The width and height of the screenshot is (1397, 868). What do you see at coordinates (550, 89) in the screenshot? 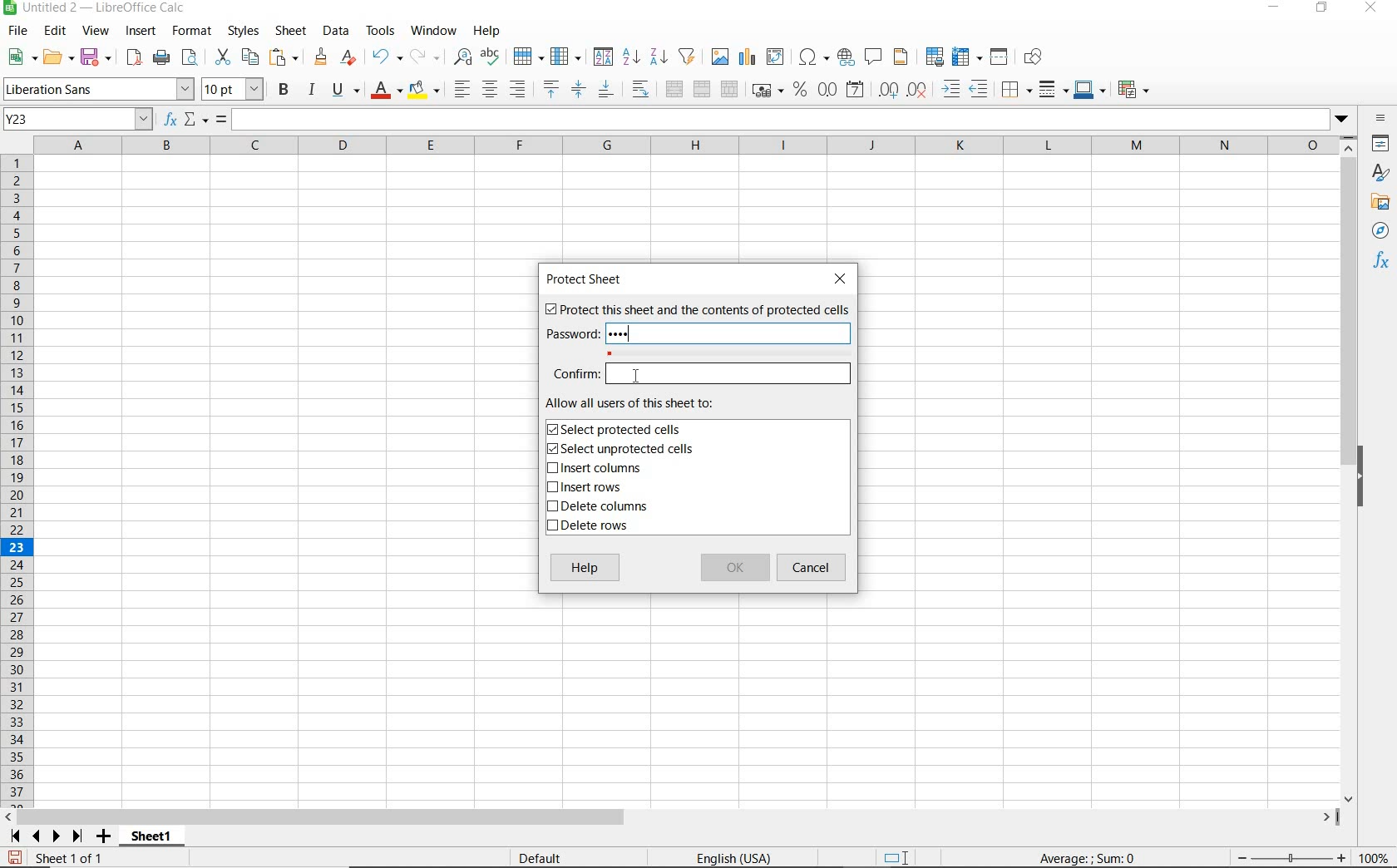
I see `ALIGN TOP` at bounding box center [550, 89].